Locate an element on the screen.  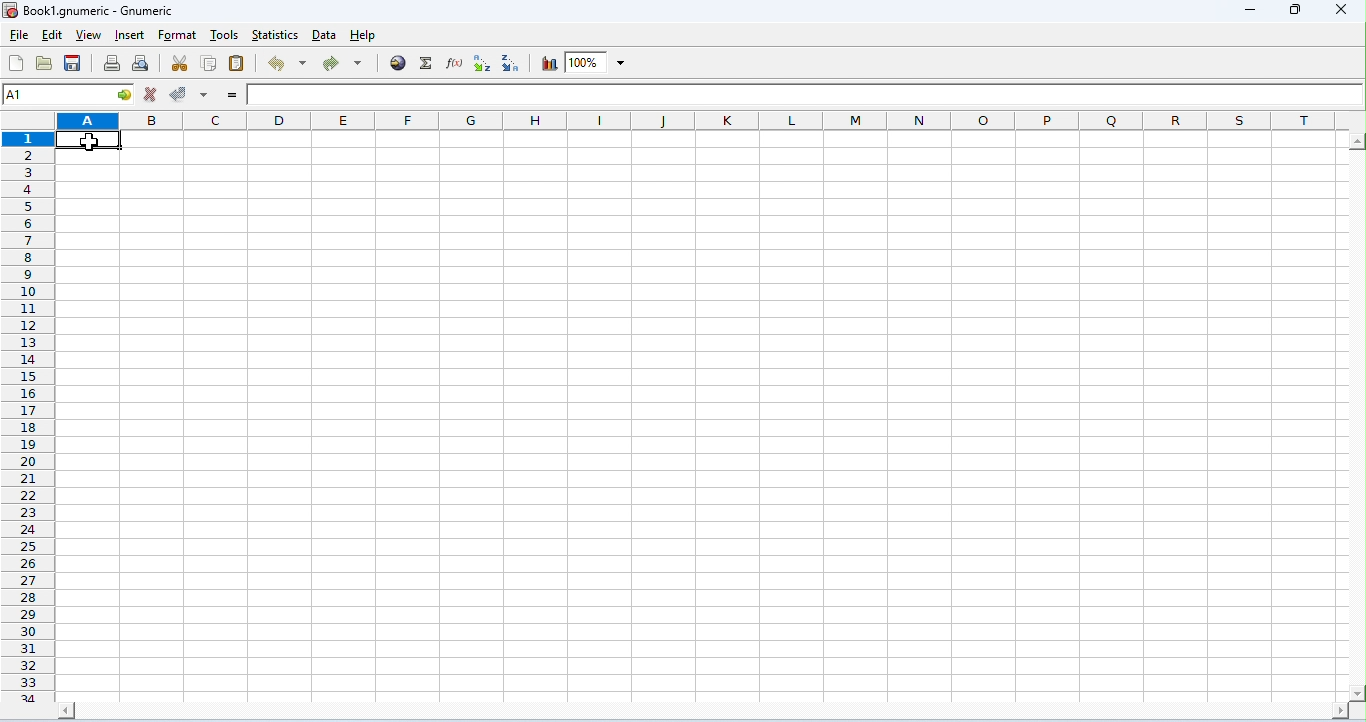
tools is located at coordinates (224, 36).